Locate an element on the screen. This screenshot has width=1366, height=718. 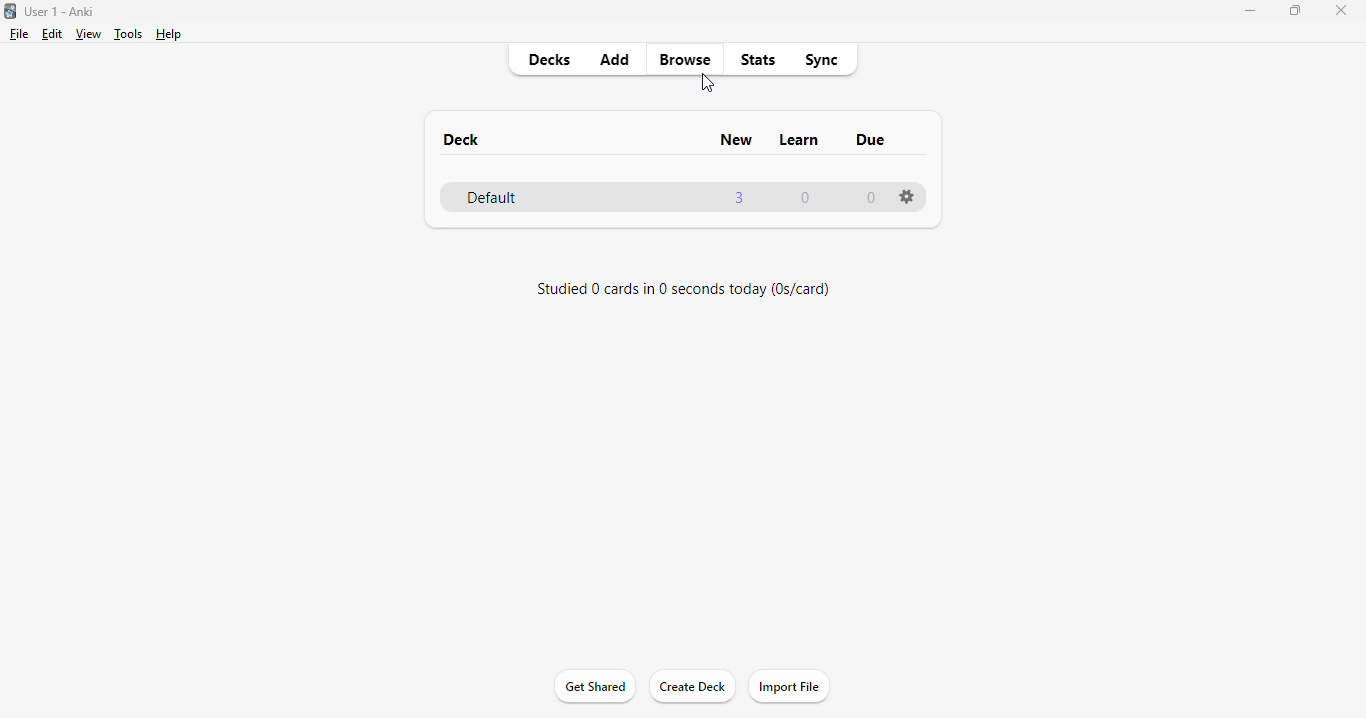
User 1 - Anki is located at coordinates (59, 11).